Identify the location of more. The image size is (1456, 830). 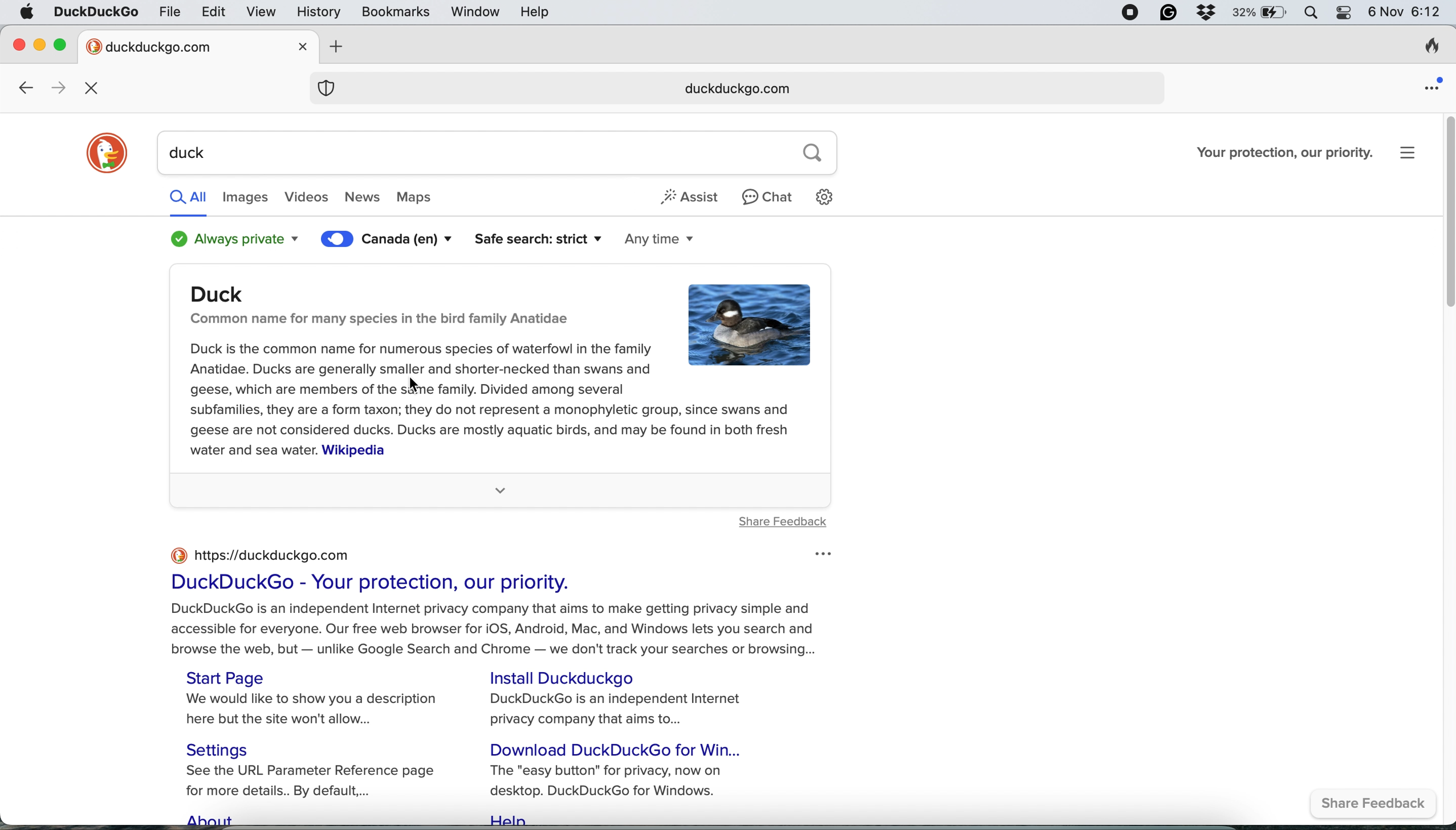
(501, 489).